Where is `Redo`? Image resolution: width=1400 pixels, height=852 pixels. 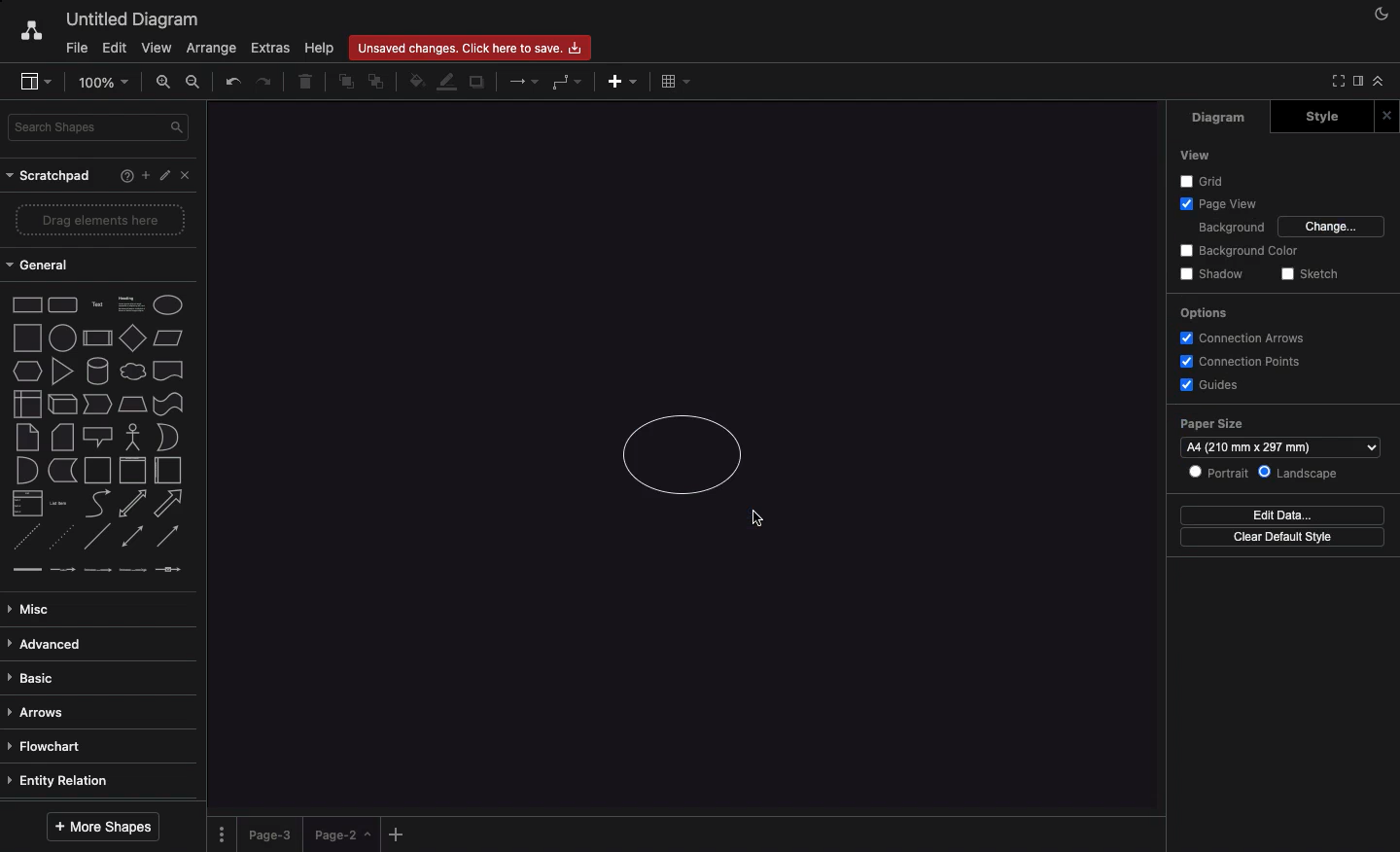 Redo is located at coordinates (264, 80).